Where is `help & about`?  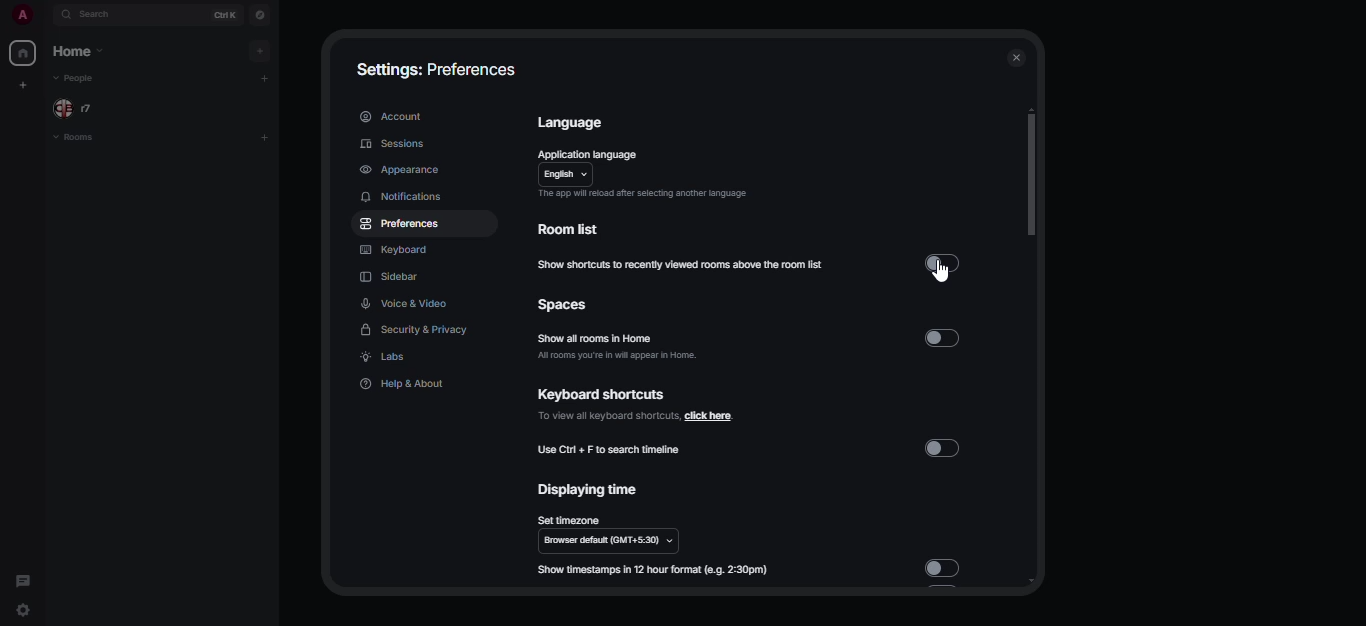
help & about is located at coordinates (402, 386).